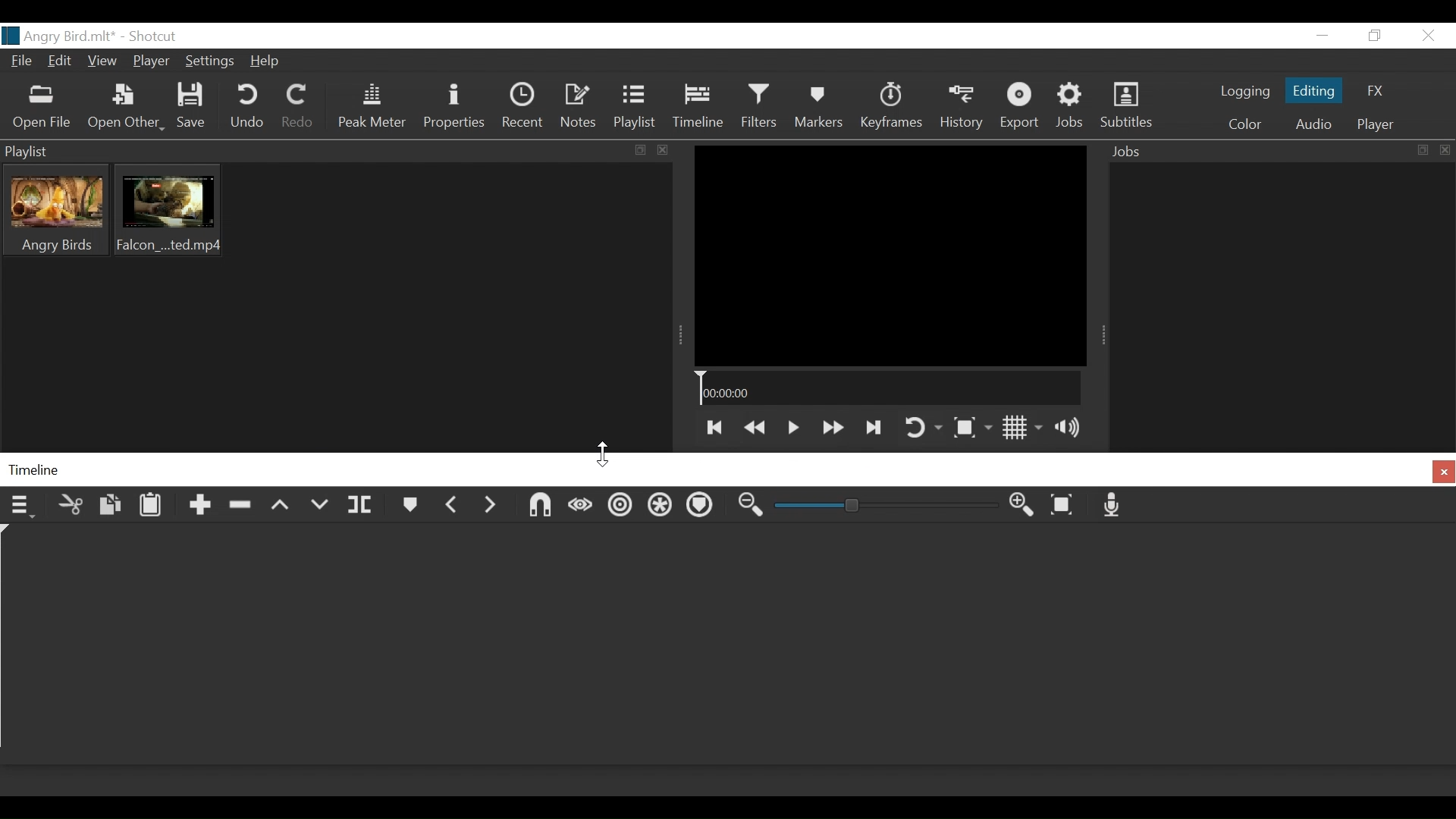 The image size is (1456, 819). I want to click on Media Viewer, so click(889, 254).